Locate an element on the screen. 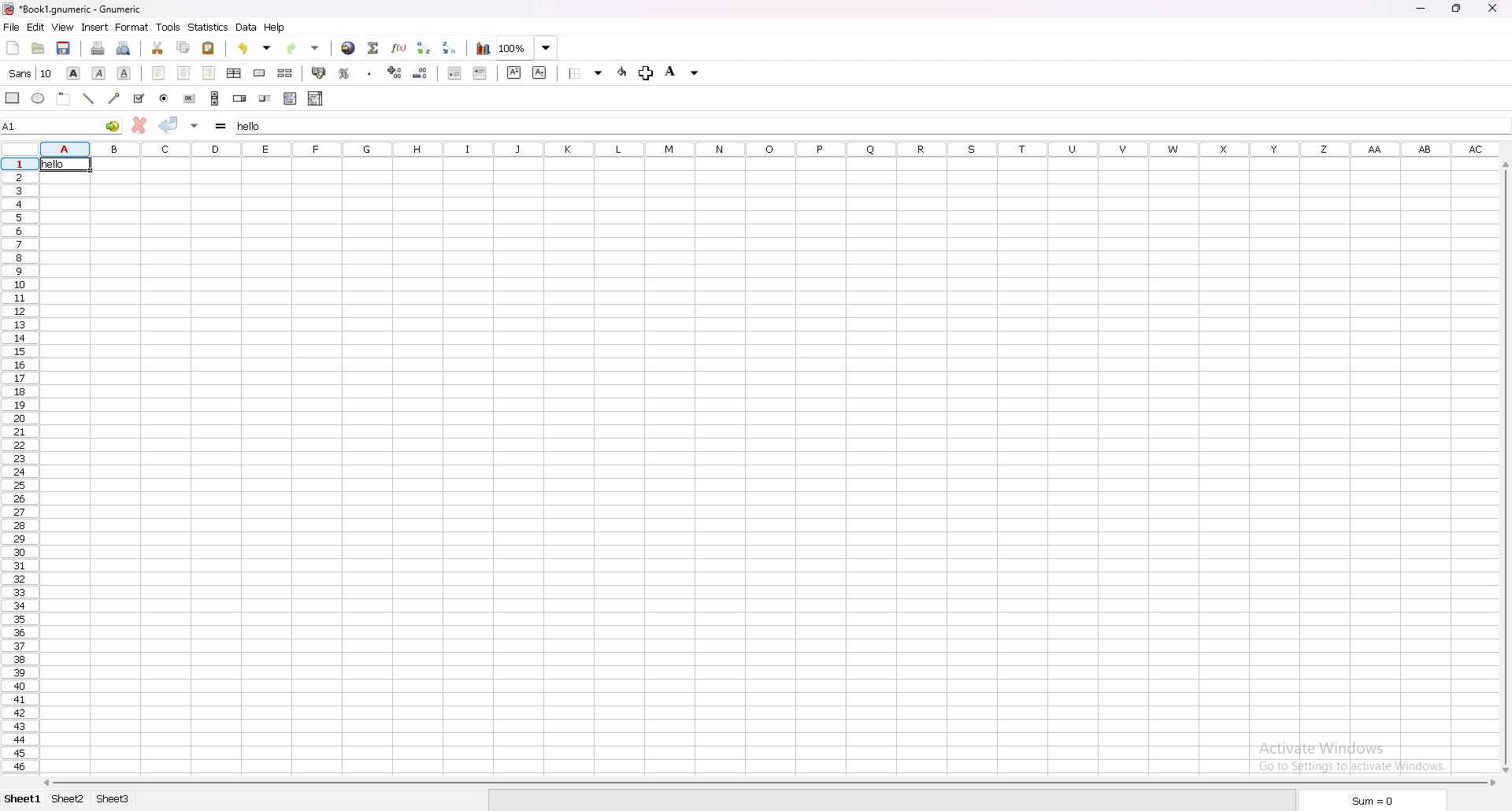 The image size is (1512, 811). scroll bar is located at coordinates (216, 98).